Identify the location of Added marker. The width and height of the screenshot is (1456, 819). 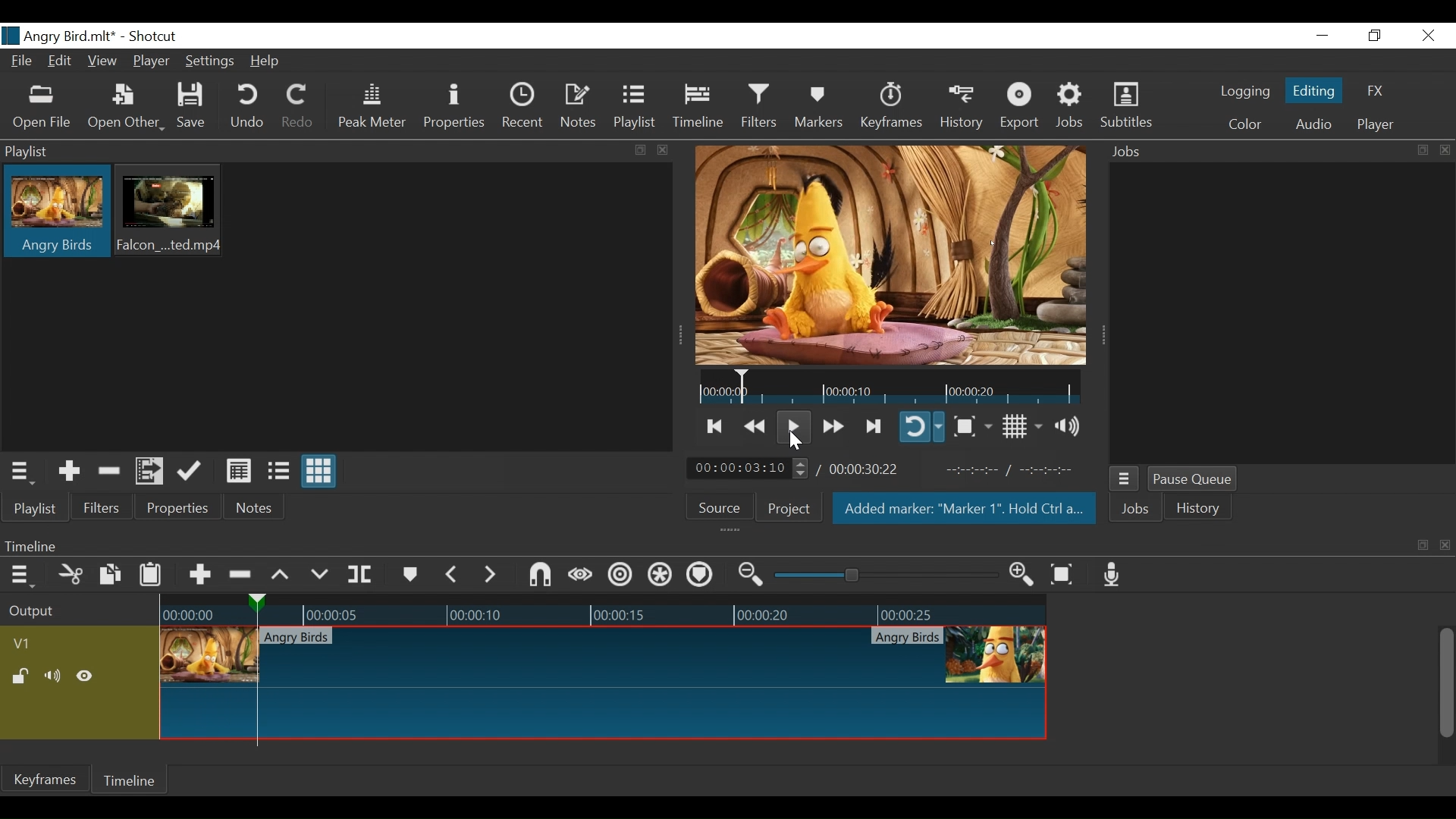
(964, 507).